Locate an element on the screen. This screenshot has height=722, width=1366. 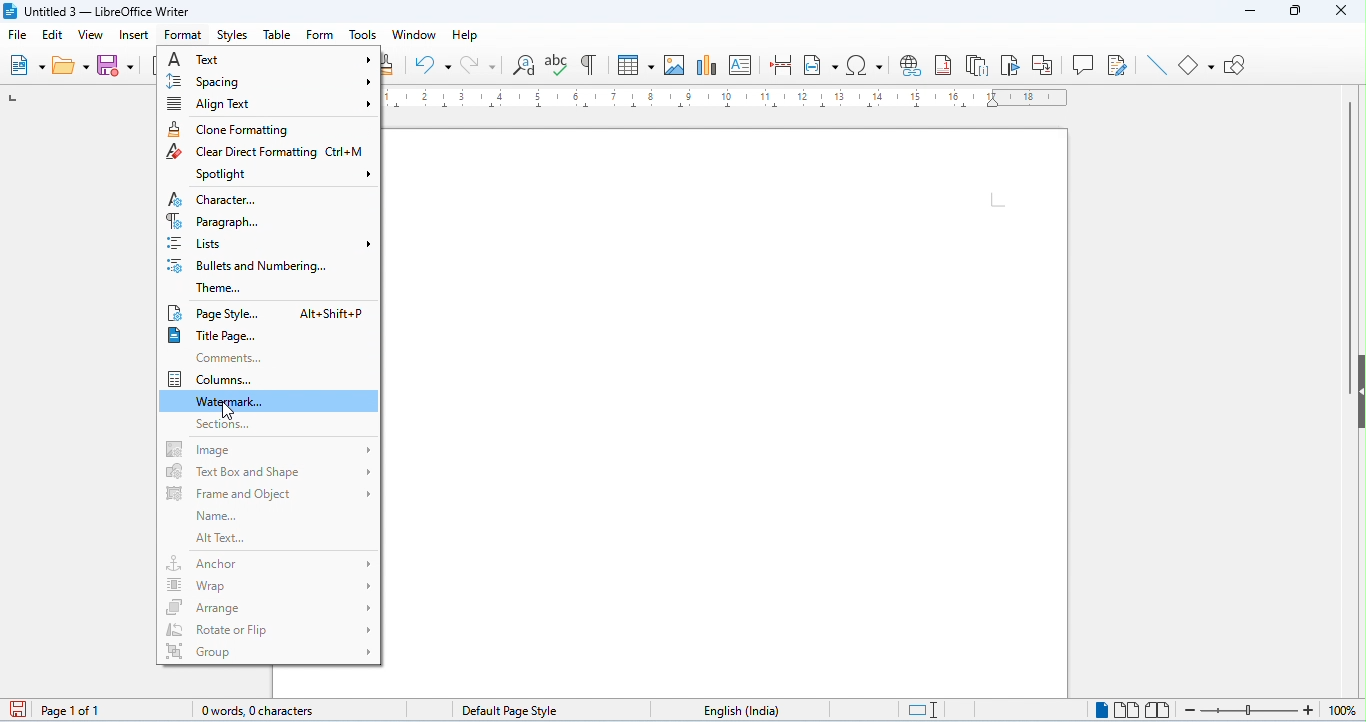
maximize is located at coordinates (1290, 11).